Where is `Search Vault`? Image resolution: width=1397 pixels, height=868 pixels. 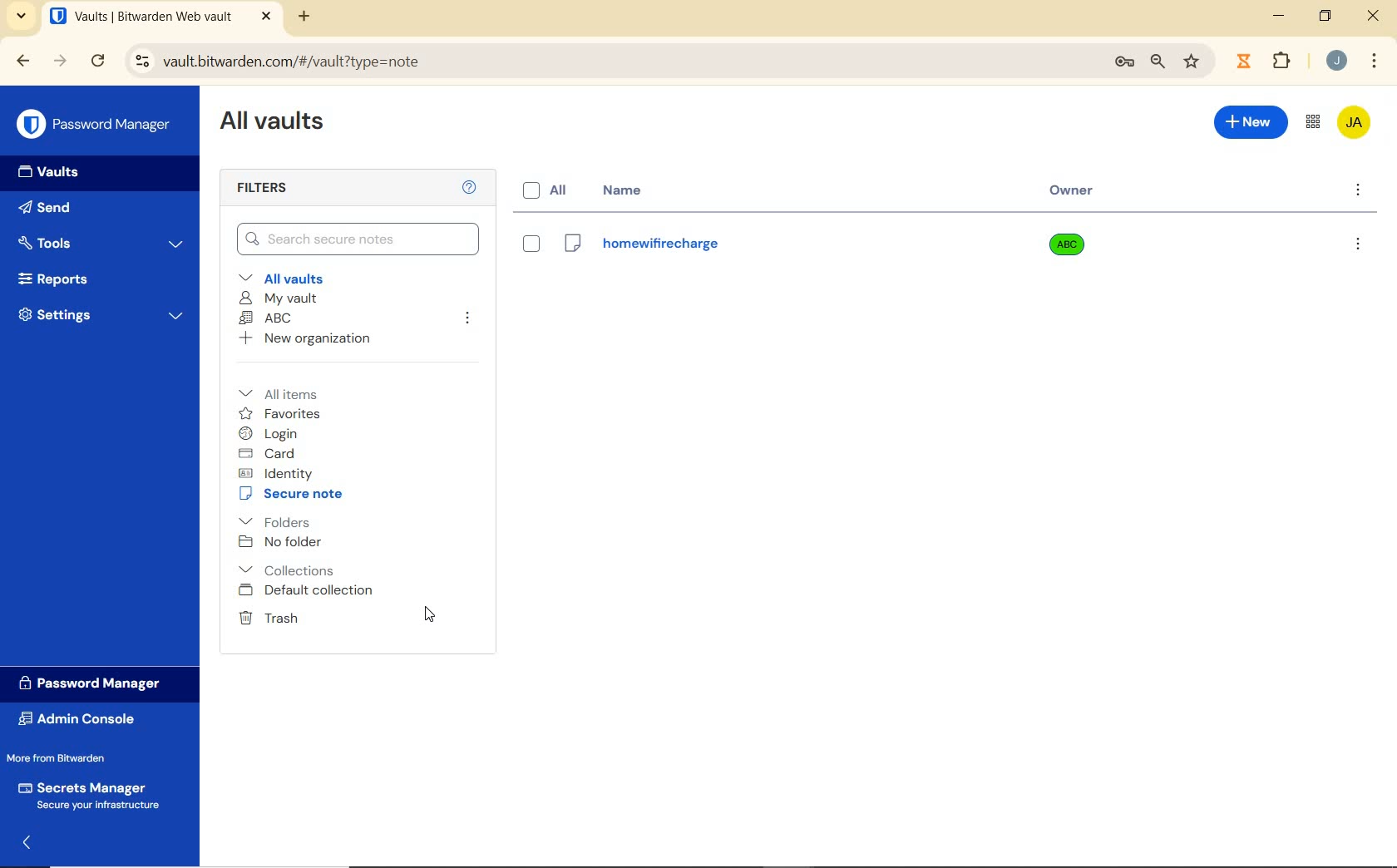
Search Vault is located at coordinates (358, 240).